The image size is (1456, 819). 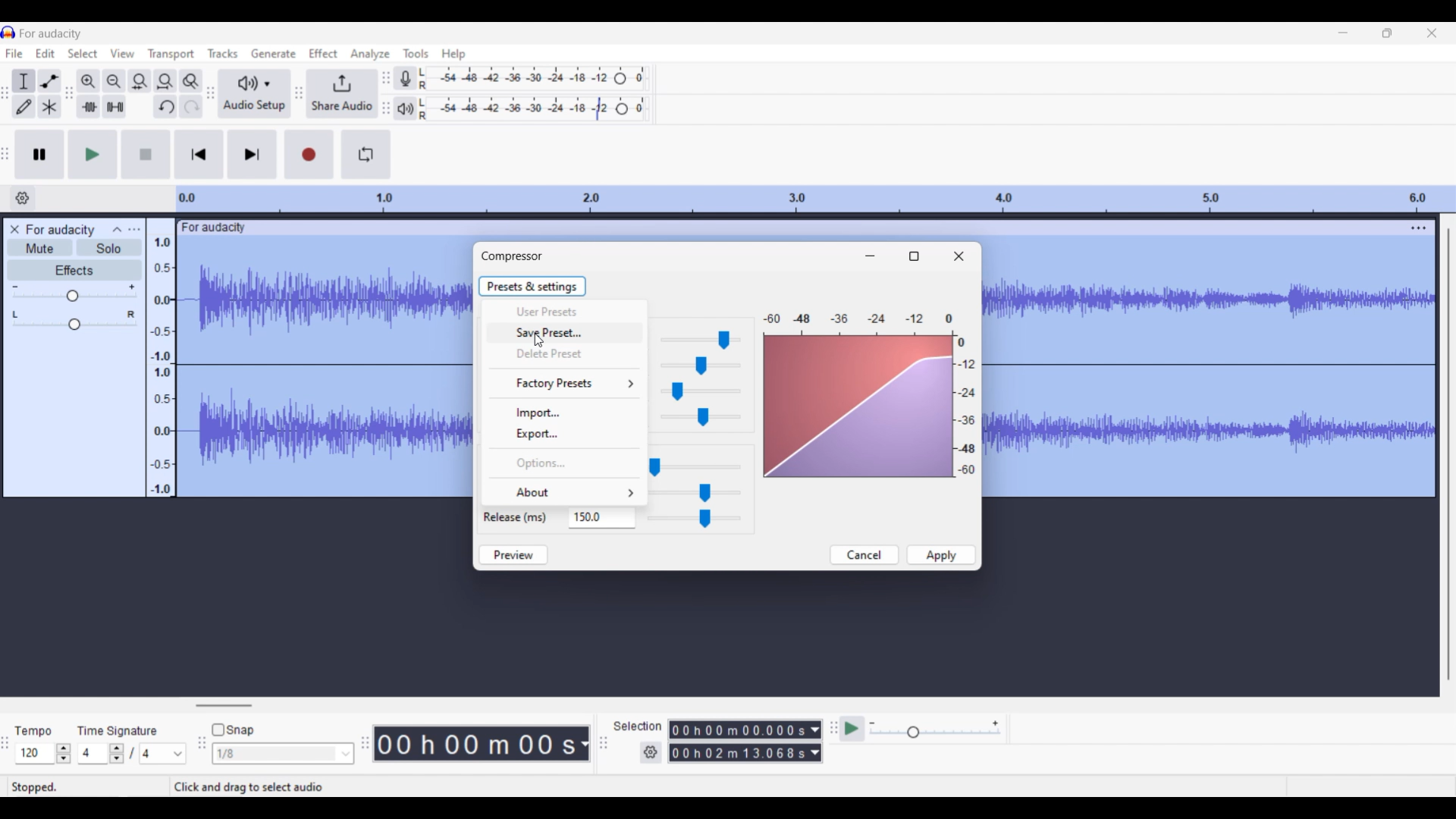 I want to click on Snap, so click(x=233, y=730).